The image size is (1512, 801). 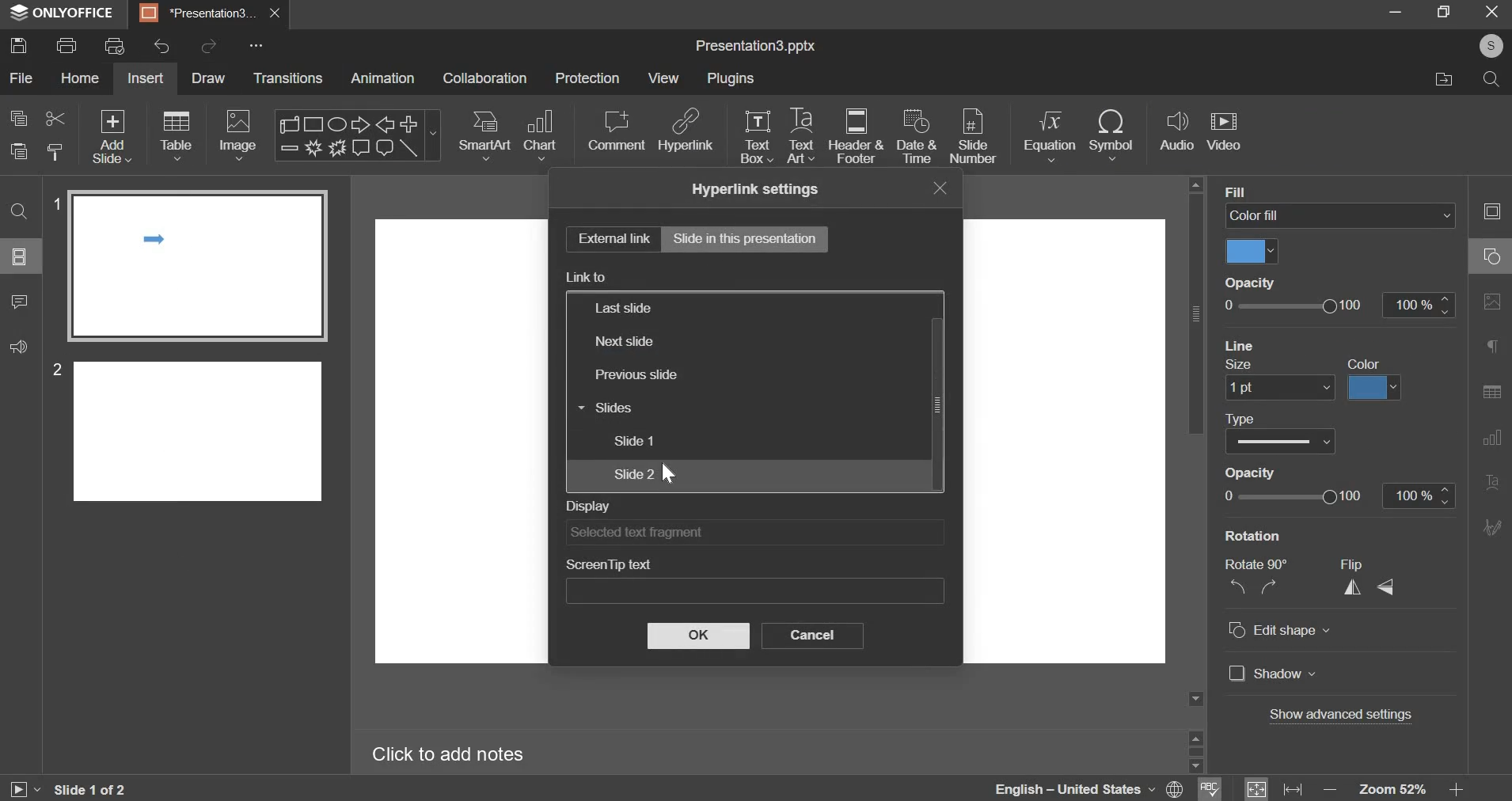 What do you see at coordinates (1331, 790) in the screenshot?
I see `decrease zoom` at bounding box center [1331, 790].